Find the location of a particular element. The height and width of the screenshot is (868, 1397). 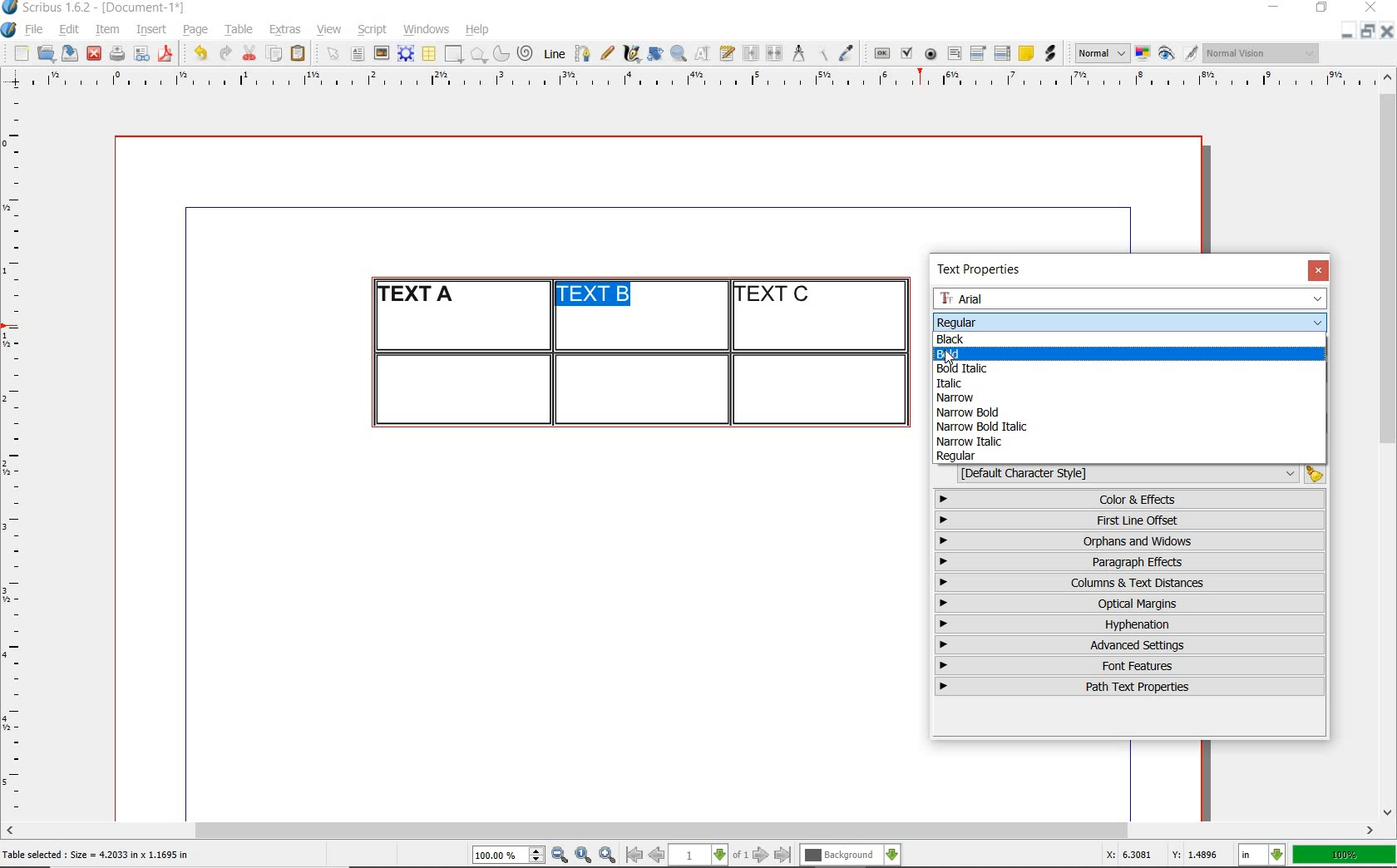

copy item properties is located at coordinates (822, 53).